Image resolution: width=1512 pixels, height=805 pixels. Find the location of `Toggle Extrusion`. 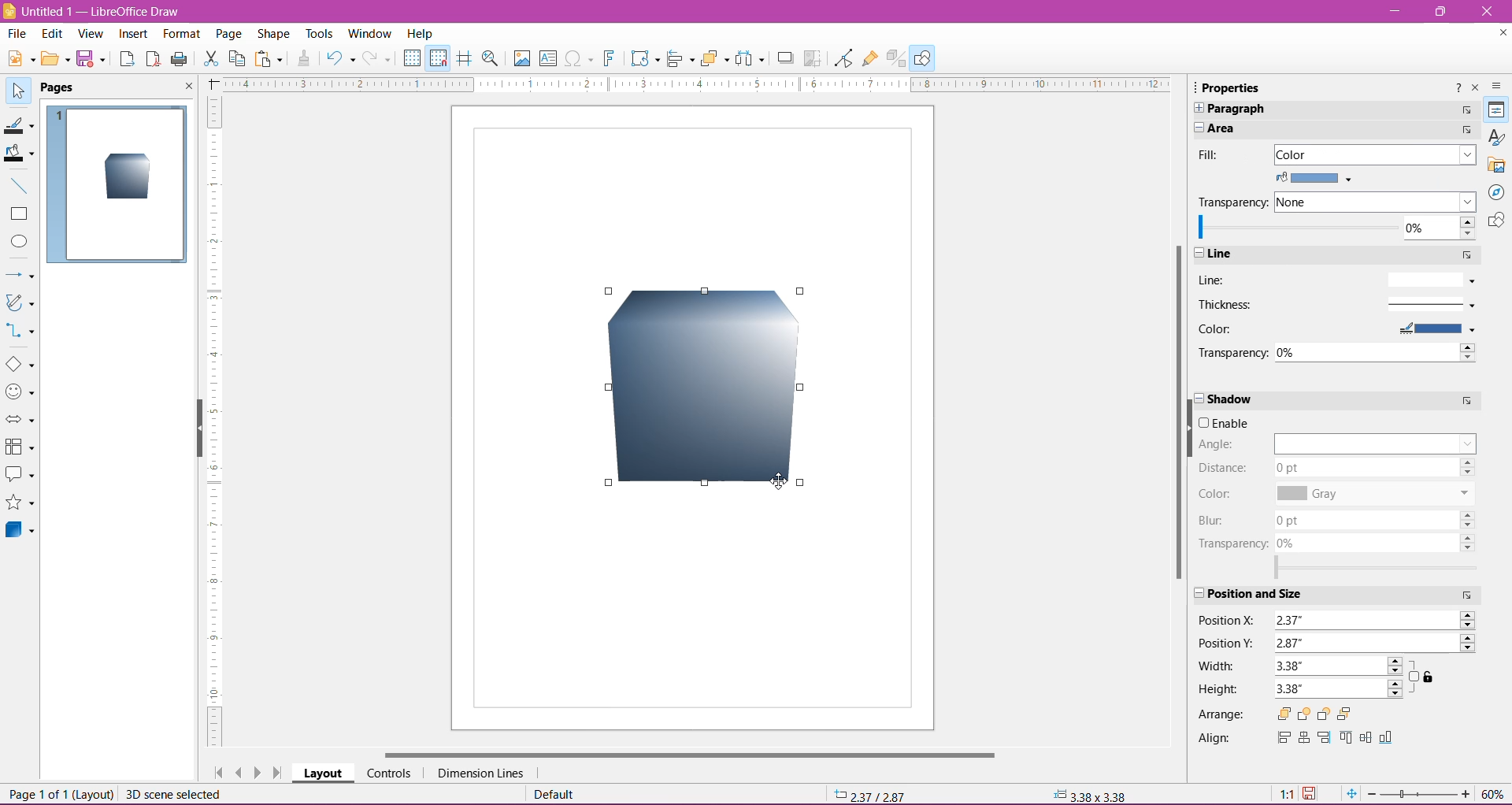

Toggle Extrusion is located at coordinates (897, 58).